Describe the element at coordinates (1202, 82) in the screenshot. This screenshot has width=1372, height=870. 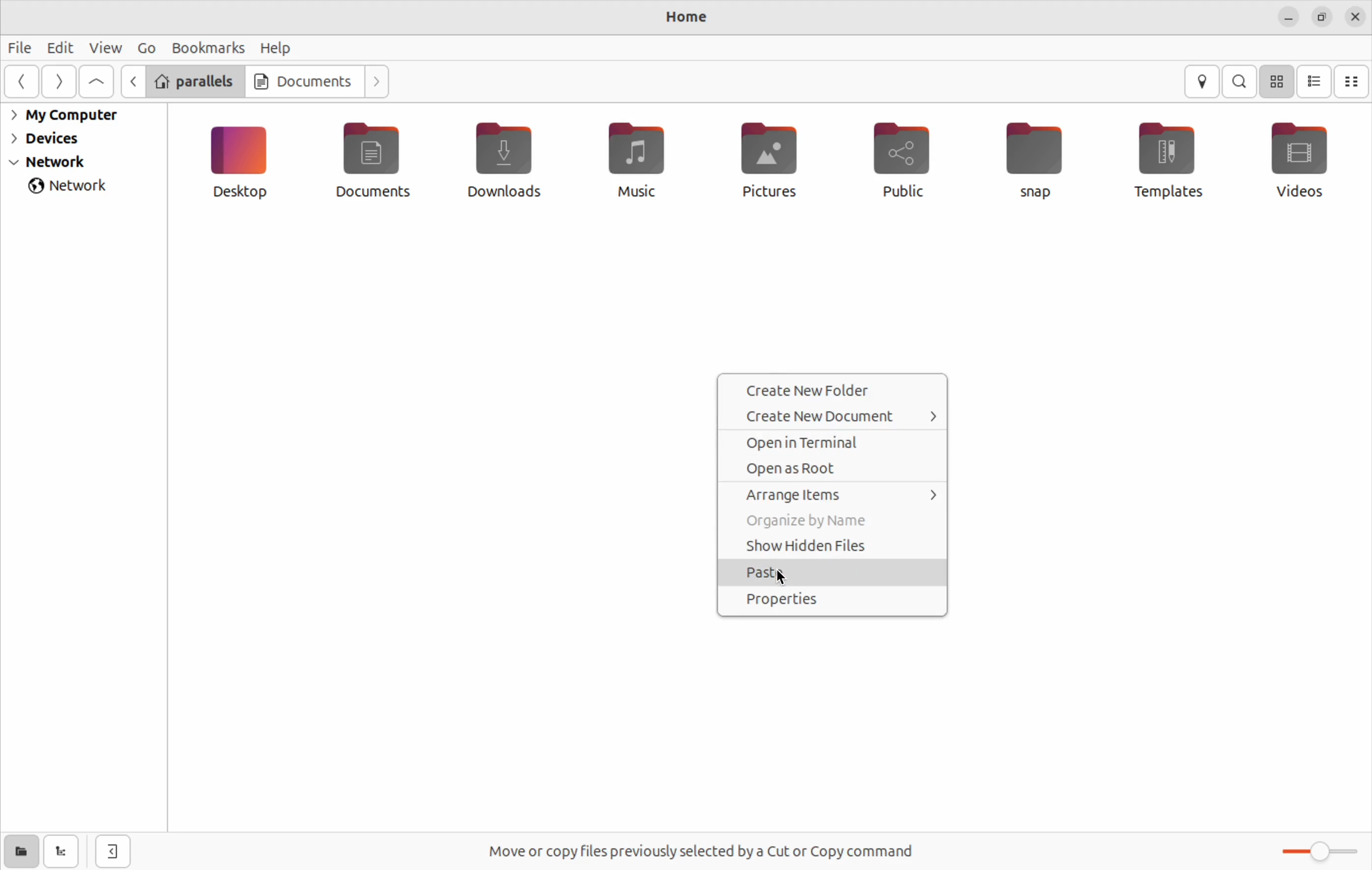
I see `location` at that location.